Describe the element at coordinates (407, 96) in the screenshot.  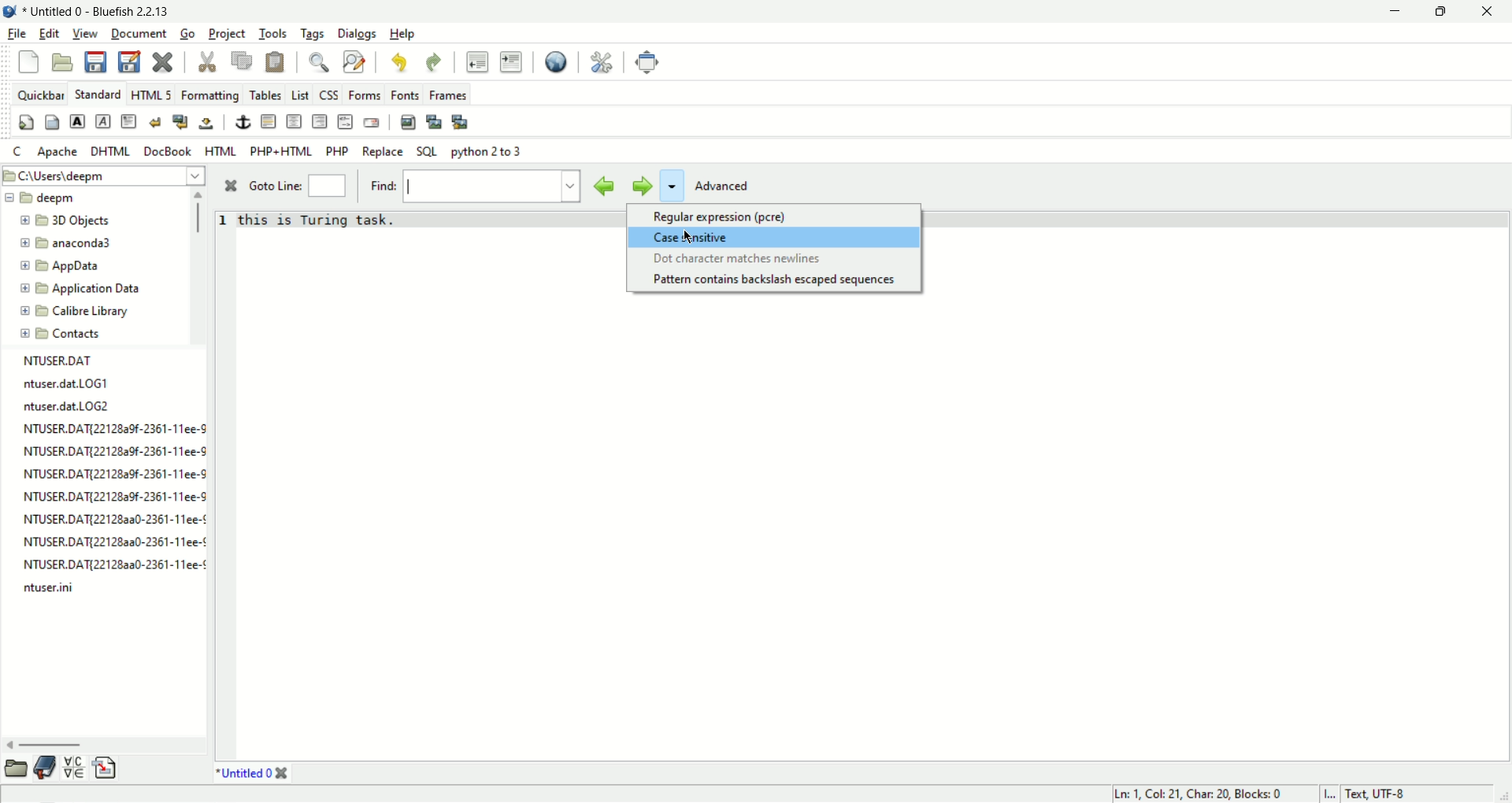
I see `Fonts` at that location.